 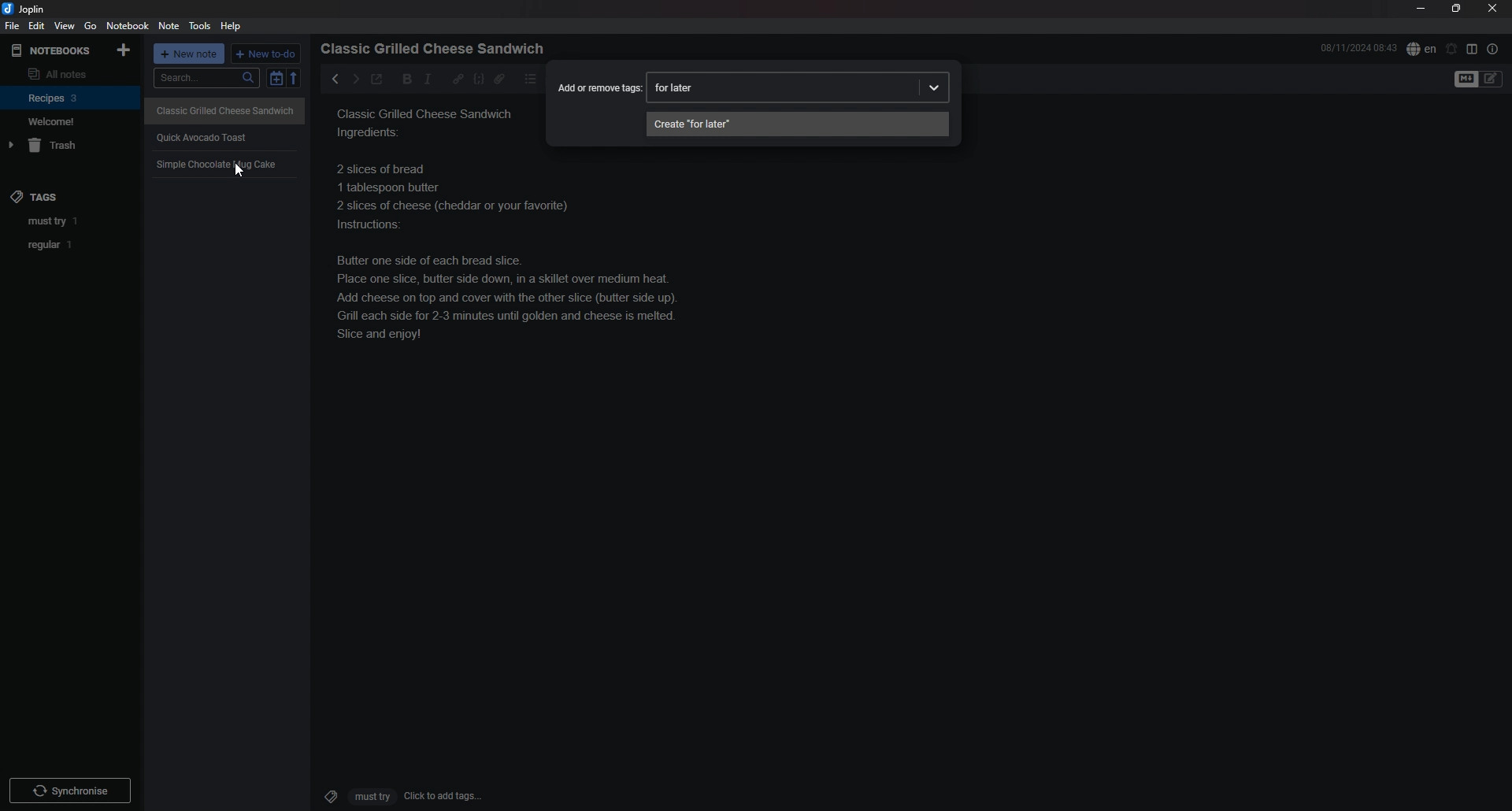 What do you see at coordinates (1480, 80) in the screenshot?
I see `toggle editor` at bounding box center [1480, 80].